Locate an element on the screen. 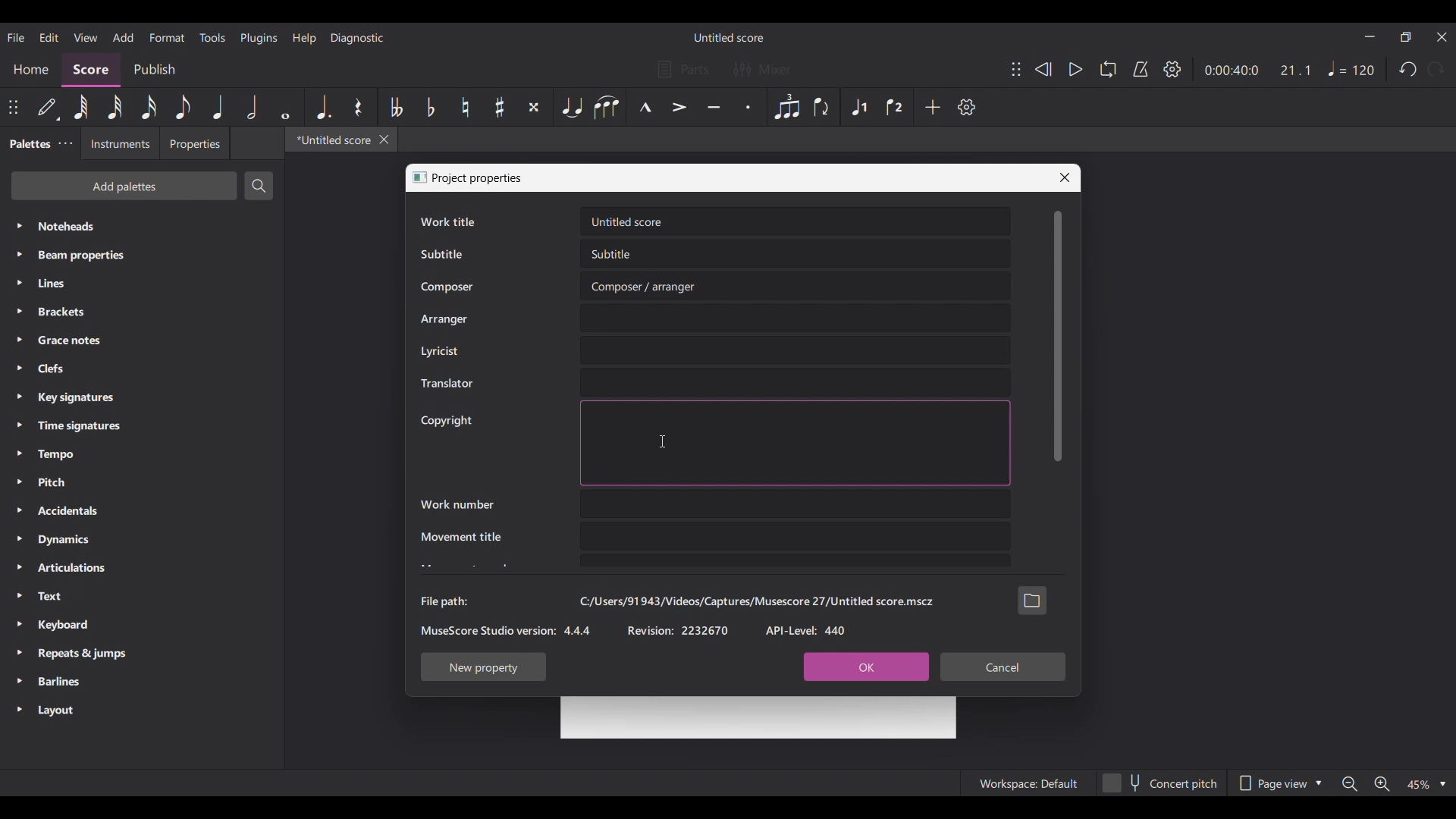 This screenshot has width=1456, height=819. Browse is located at coordinates (1032, 600).